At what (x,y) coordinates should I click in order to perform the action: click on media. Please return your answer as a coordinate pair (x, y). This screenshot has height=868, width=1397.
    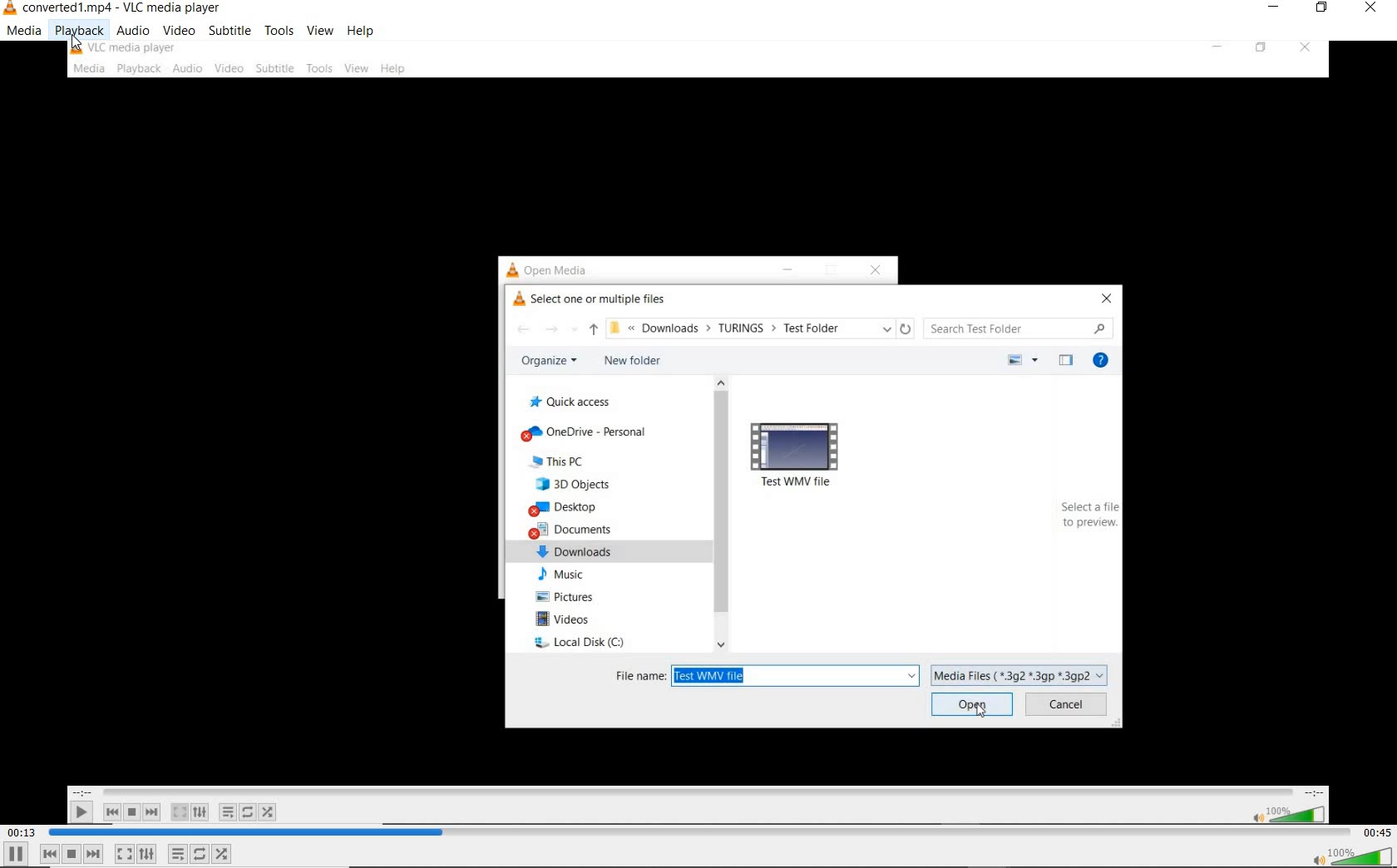
    Looking at the image, I should click on (24, 29).